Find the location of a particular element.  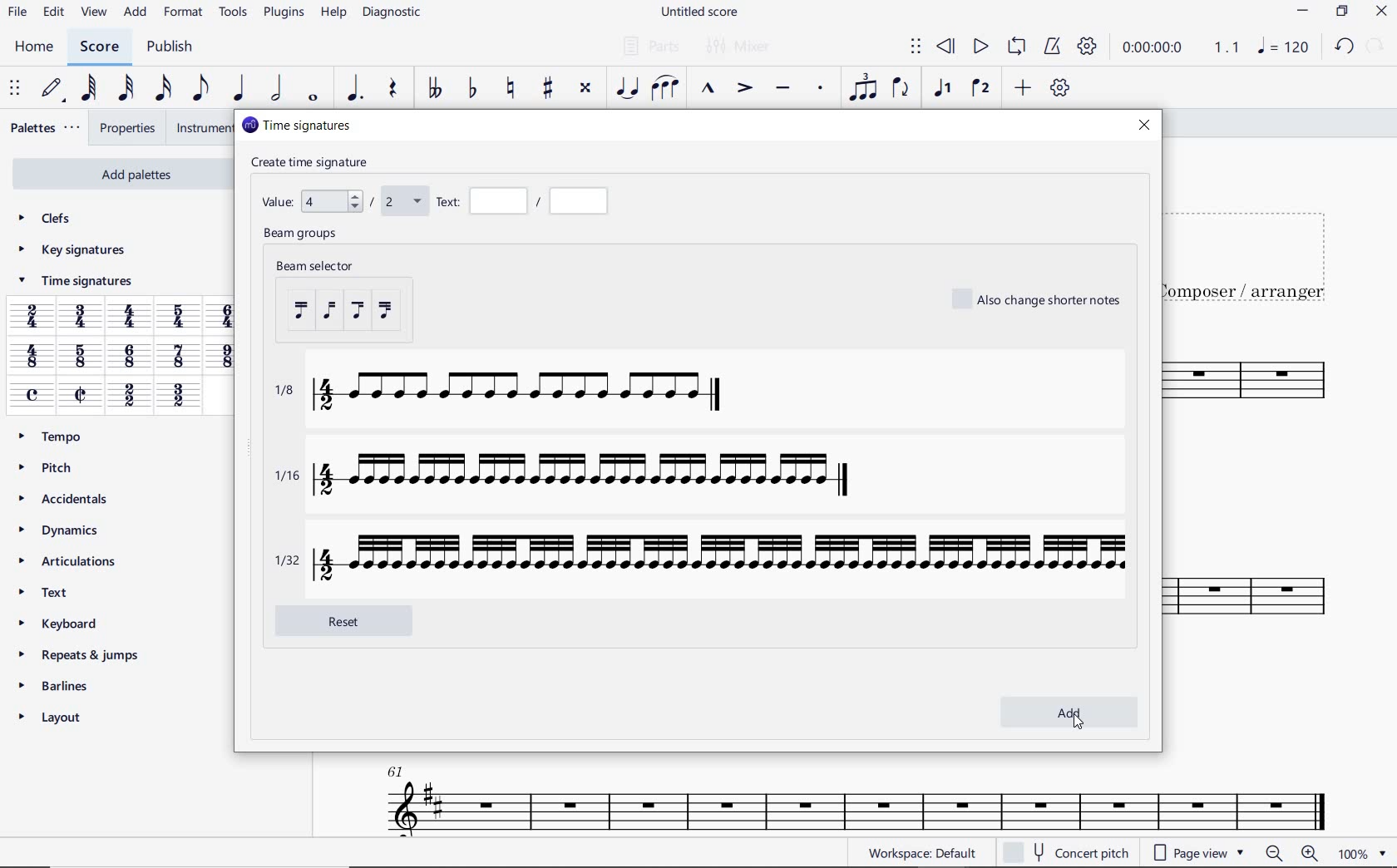

4/8 is located at coordinates (32, 358).